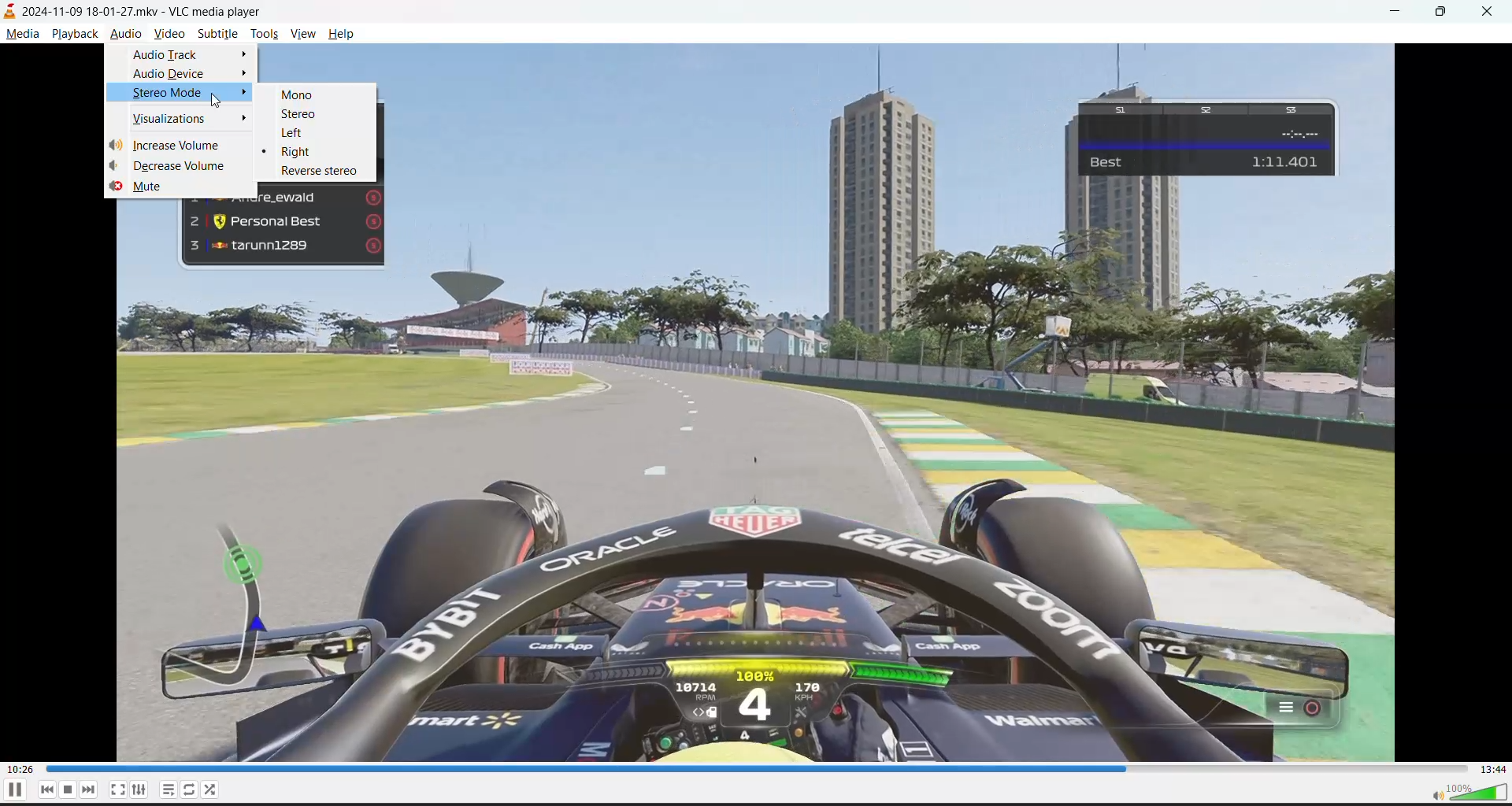 The width and height of the screenshot is (1512, 806). I want to click on cursor, so click(218, 100).